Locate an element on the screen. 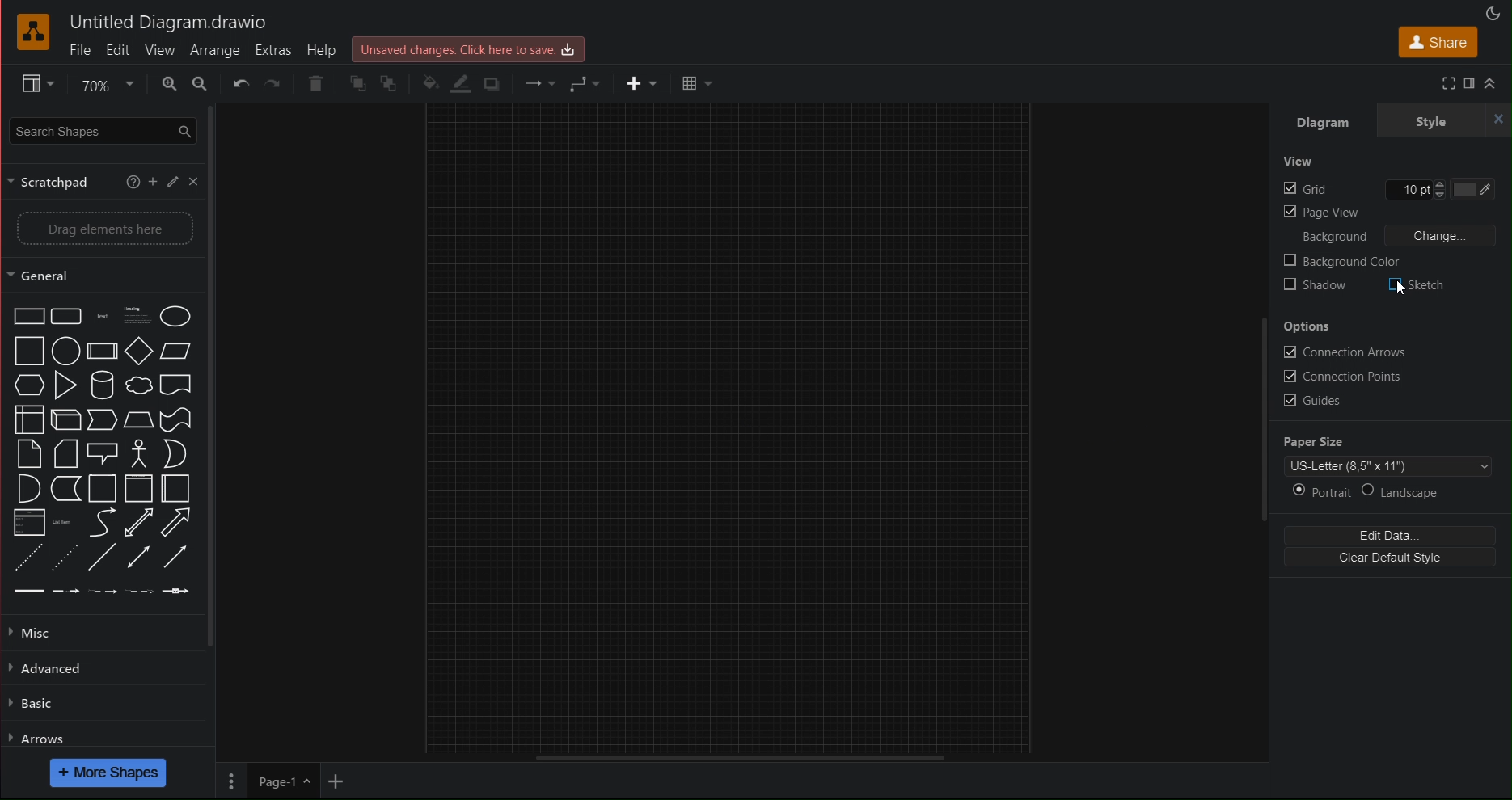 The width and height of the screenshot is (1512, 800). bidirectional connector is located at coordinates (139, 557).